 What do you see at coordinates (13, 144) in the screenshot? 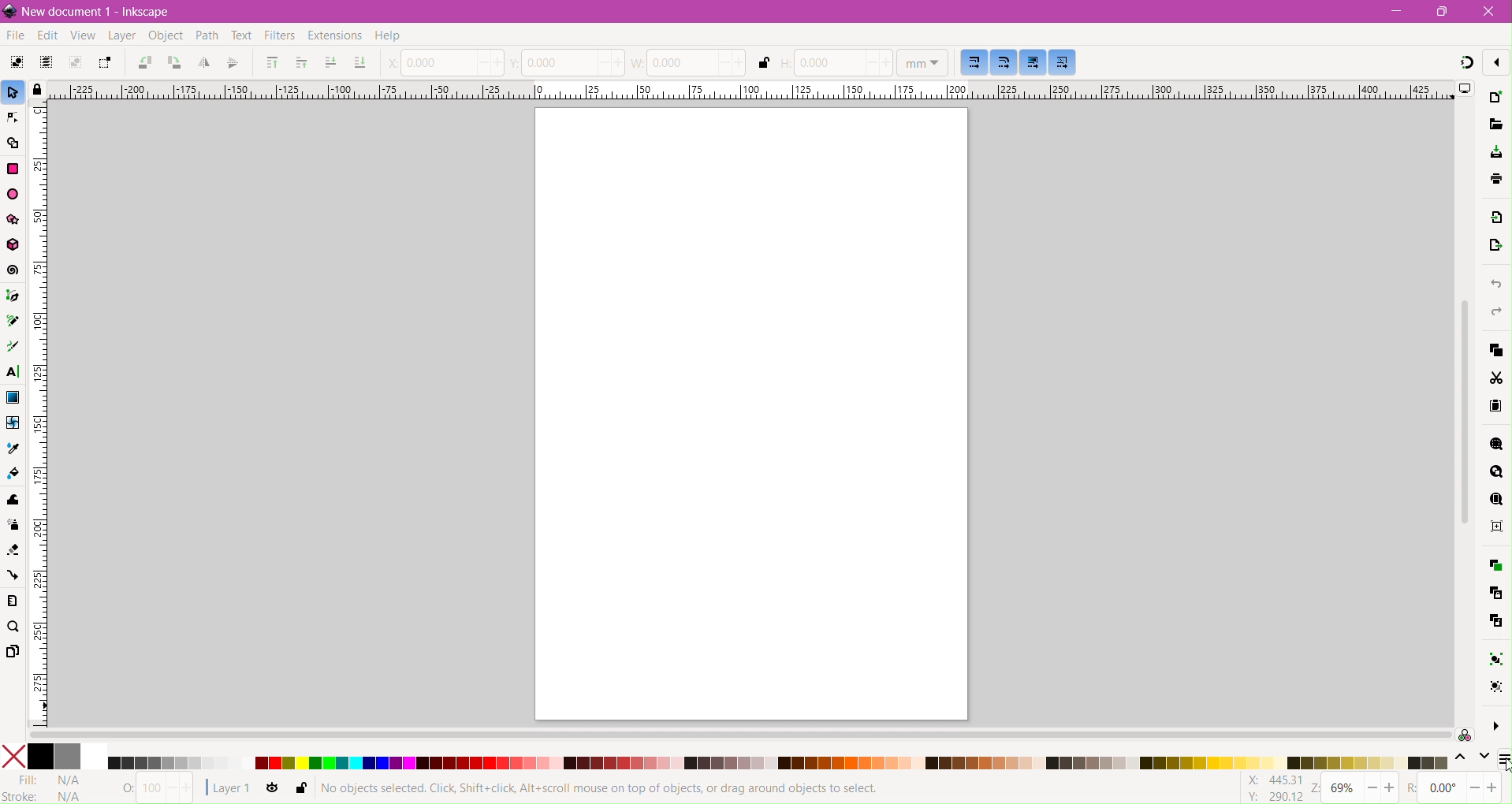
I see `Shape Builder Tool` at bounding box center [13, 144].